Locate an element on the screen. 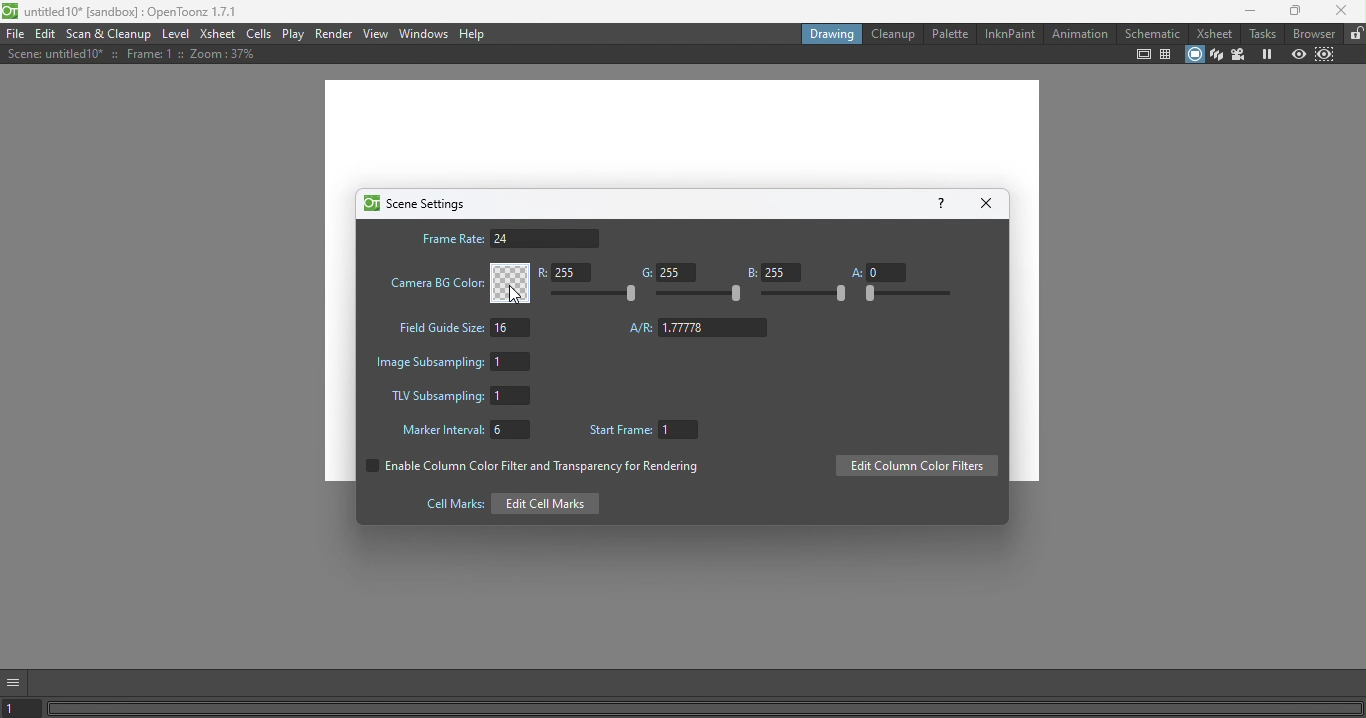 Image resolution: width=1366 pixels, height=718 pixels. View is located at coordinates (376, 33).